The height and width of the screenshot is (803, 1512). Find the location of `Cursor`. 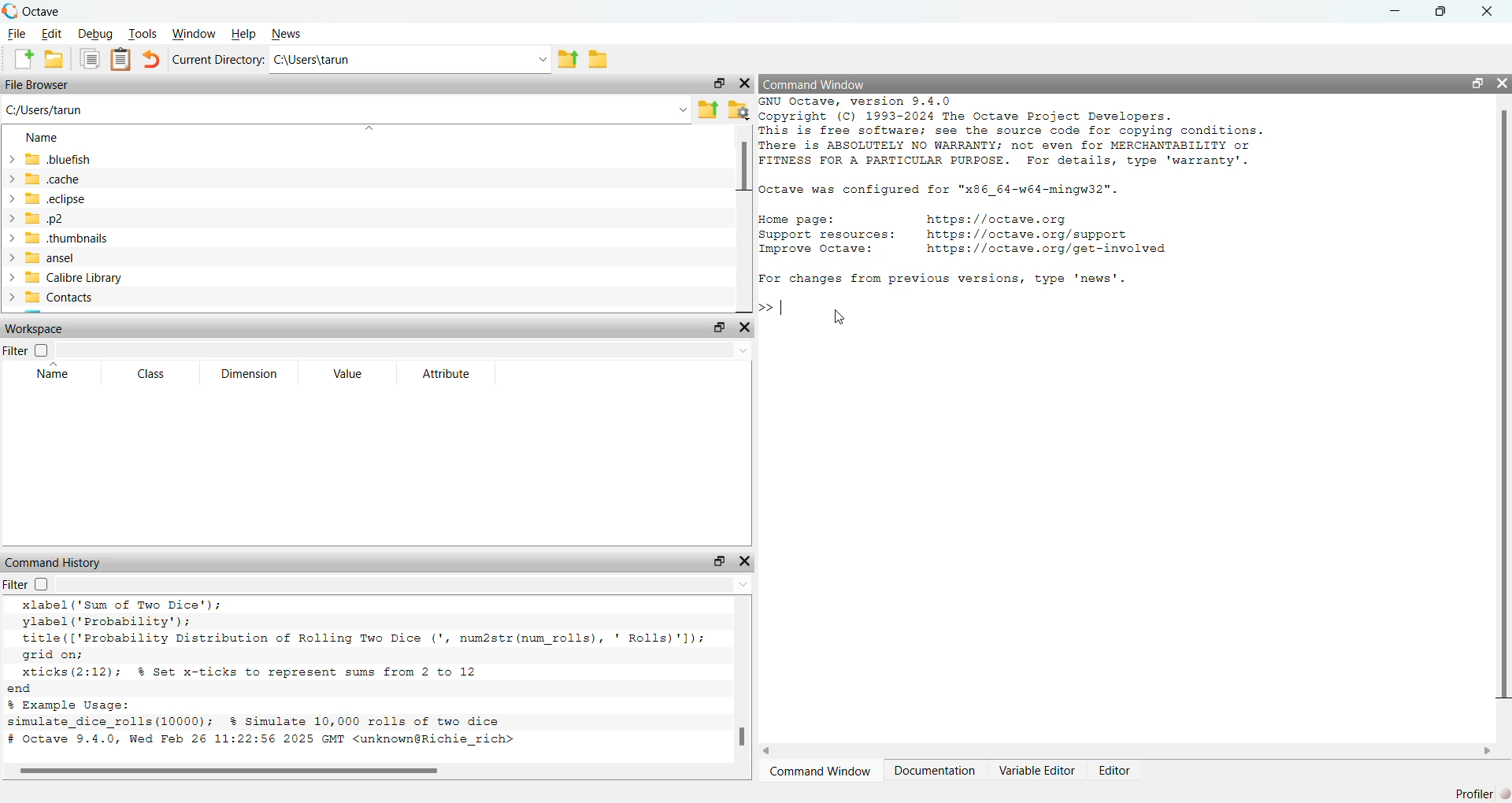

Cursor is located at coordinates (839, 314).